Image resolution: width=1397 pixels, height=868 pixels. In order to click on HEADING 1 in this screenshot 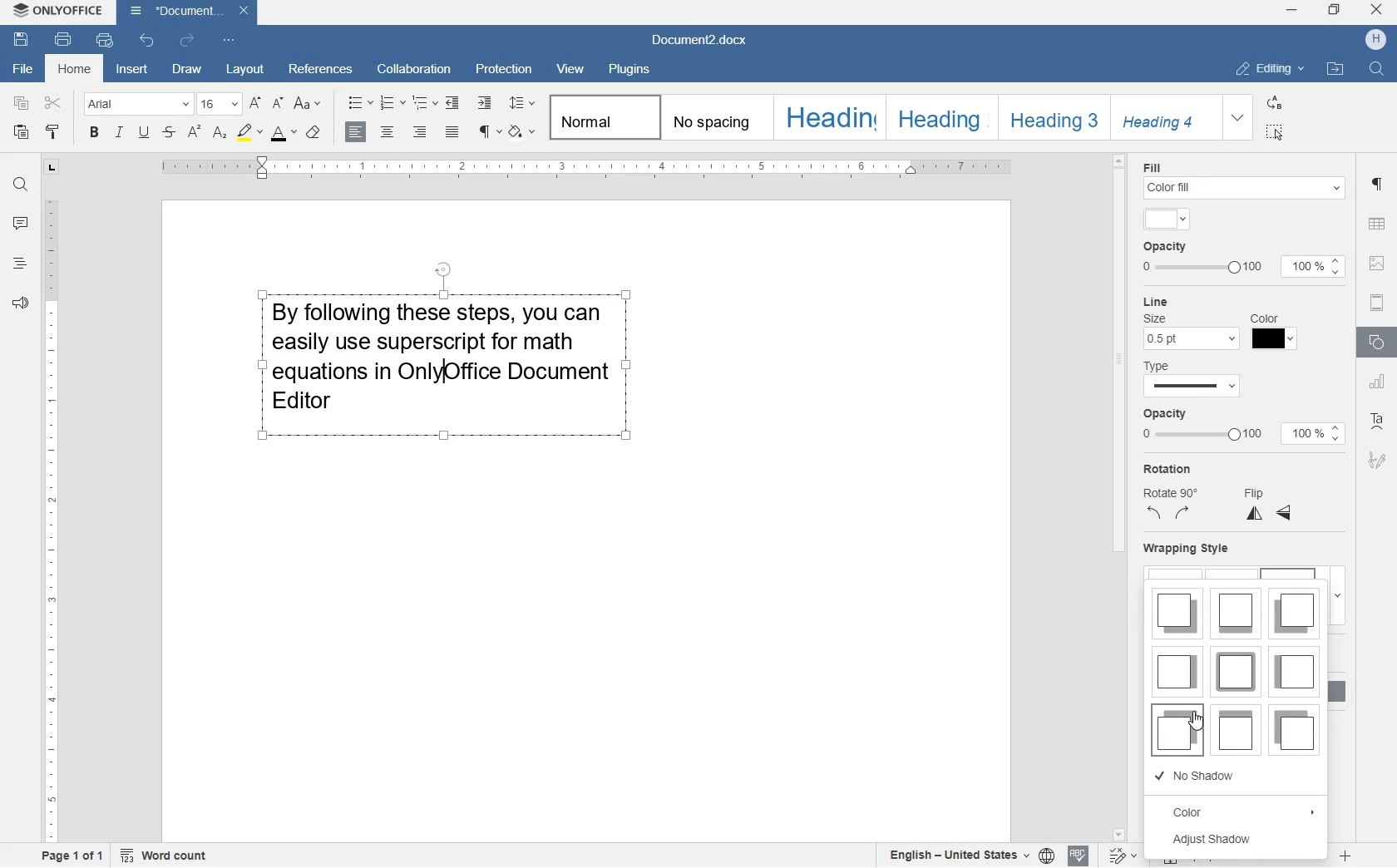, I will do `click(828, 117)`.